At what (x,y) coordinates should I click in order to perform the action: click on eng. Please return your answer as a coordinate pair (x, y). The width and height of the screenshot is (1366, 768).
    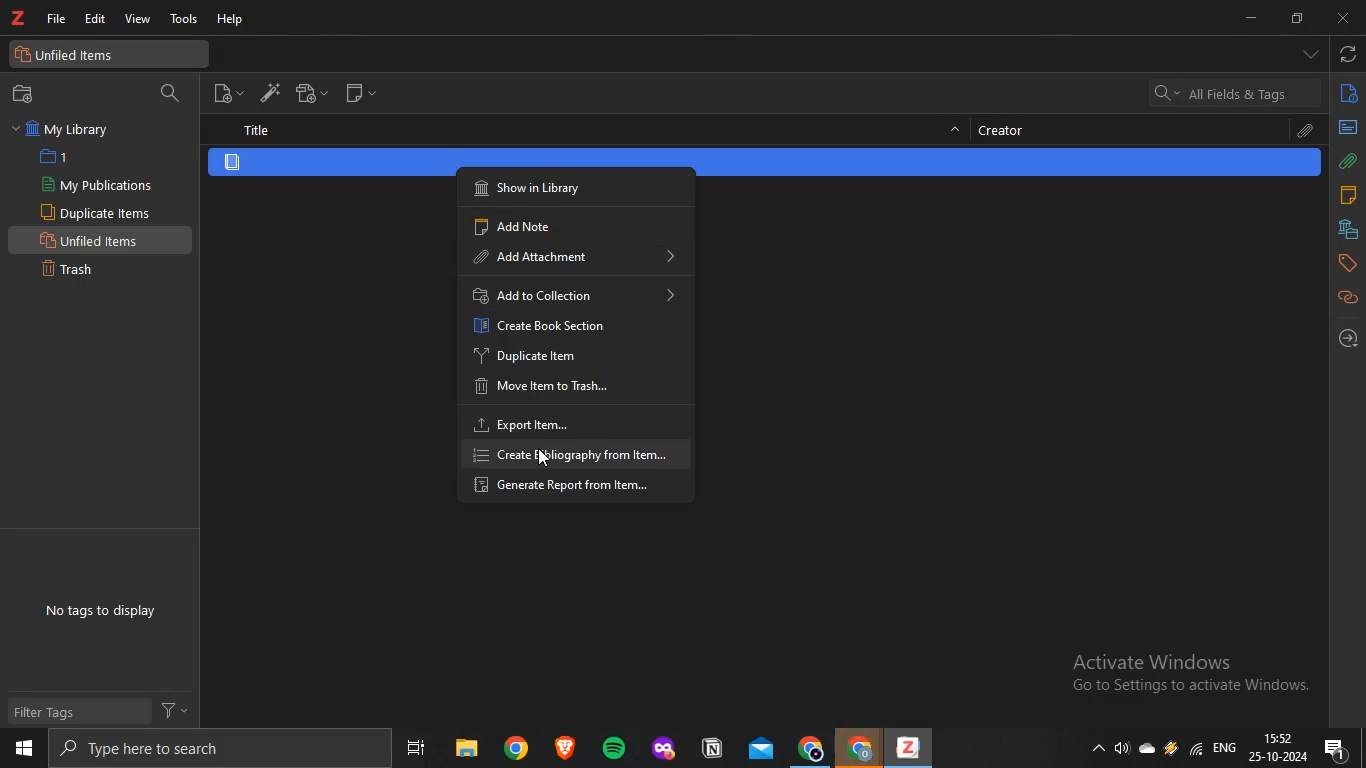
    Looking at the image, I should click on (1227, 745).